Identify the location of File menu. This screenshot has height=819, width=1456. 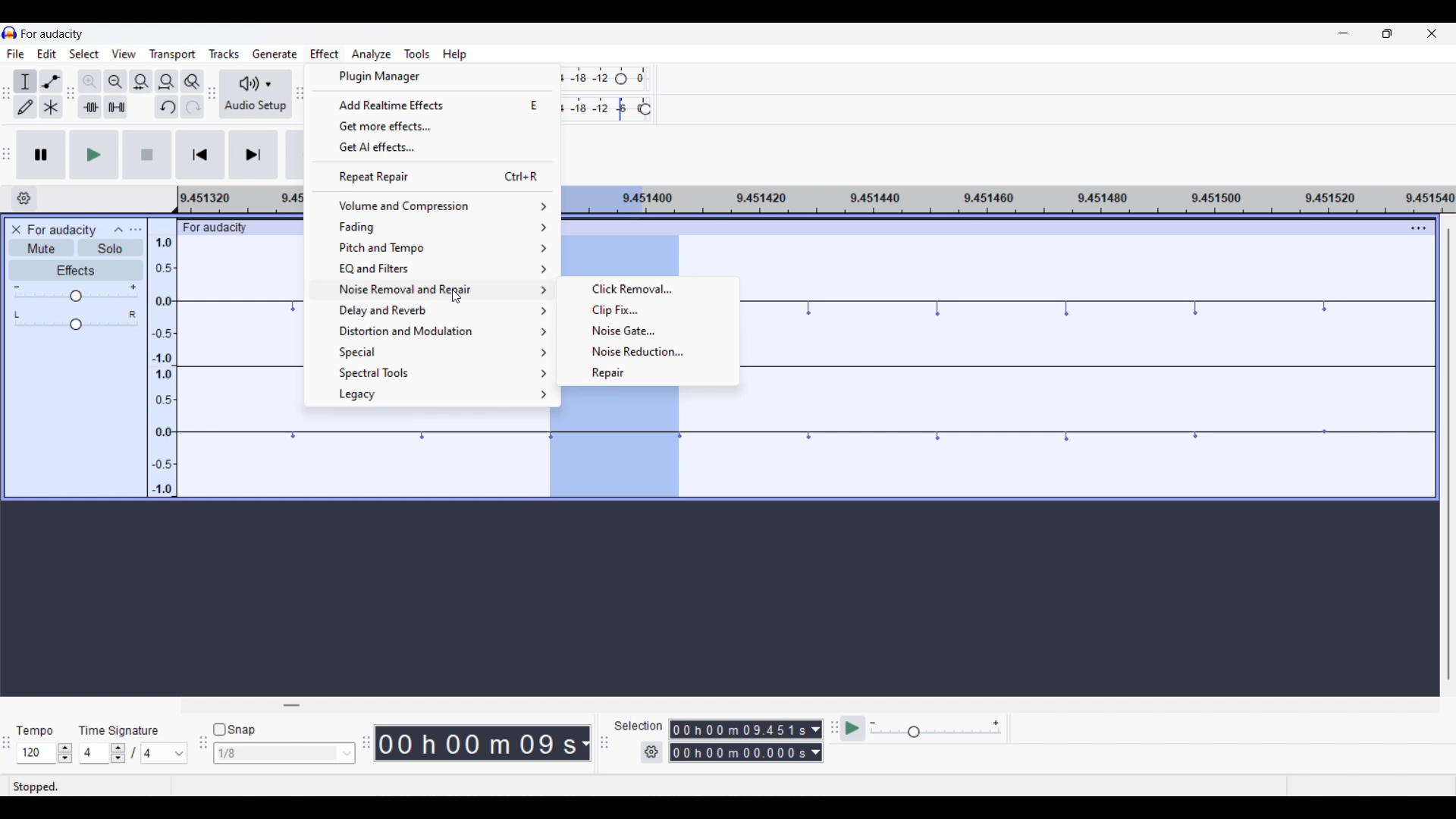
(16, 54).